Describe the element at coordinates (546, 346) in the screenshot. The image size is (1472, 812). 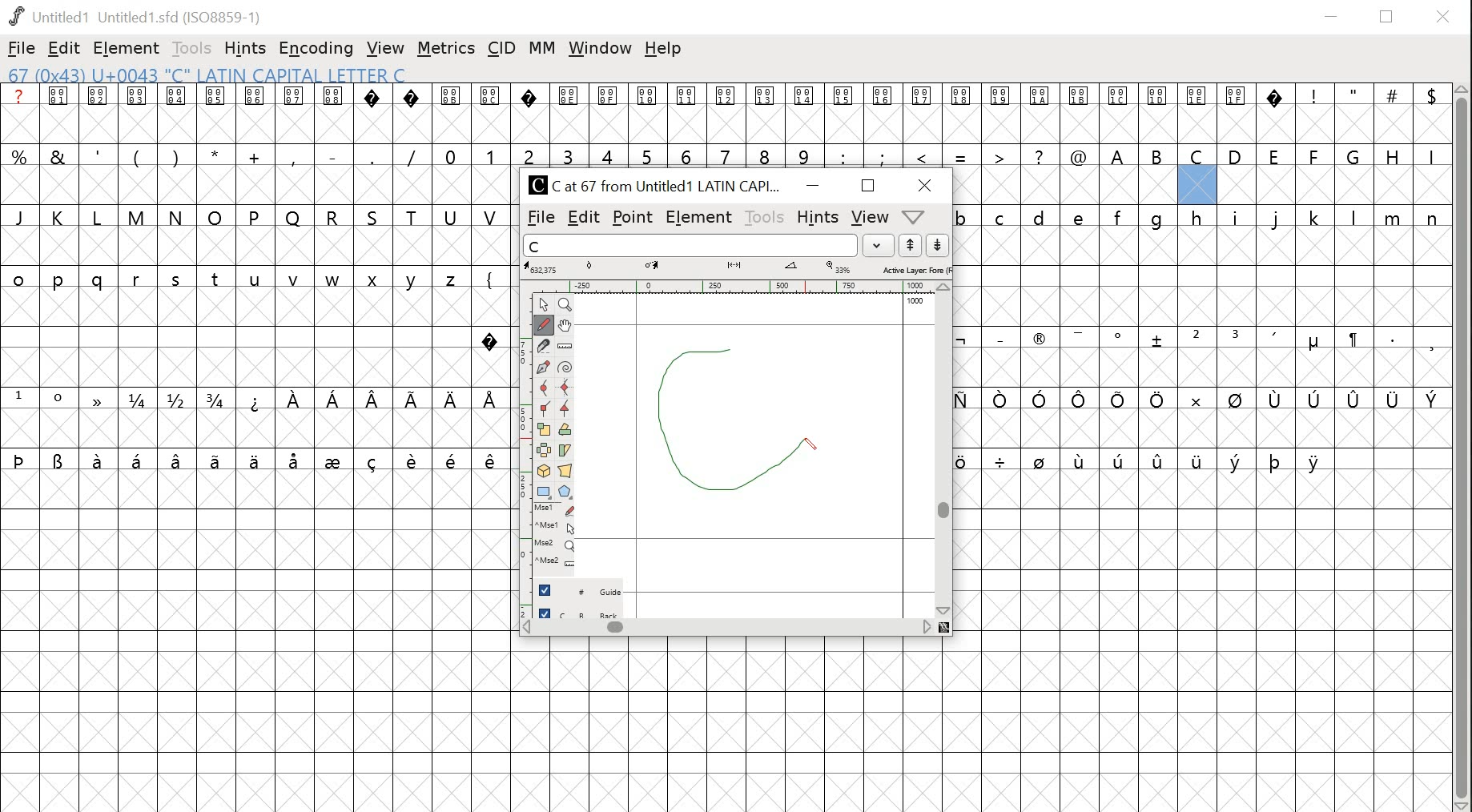
I see `knife` at that location.